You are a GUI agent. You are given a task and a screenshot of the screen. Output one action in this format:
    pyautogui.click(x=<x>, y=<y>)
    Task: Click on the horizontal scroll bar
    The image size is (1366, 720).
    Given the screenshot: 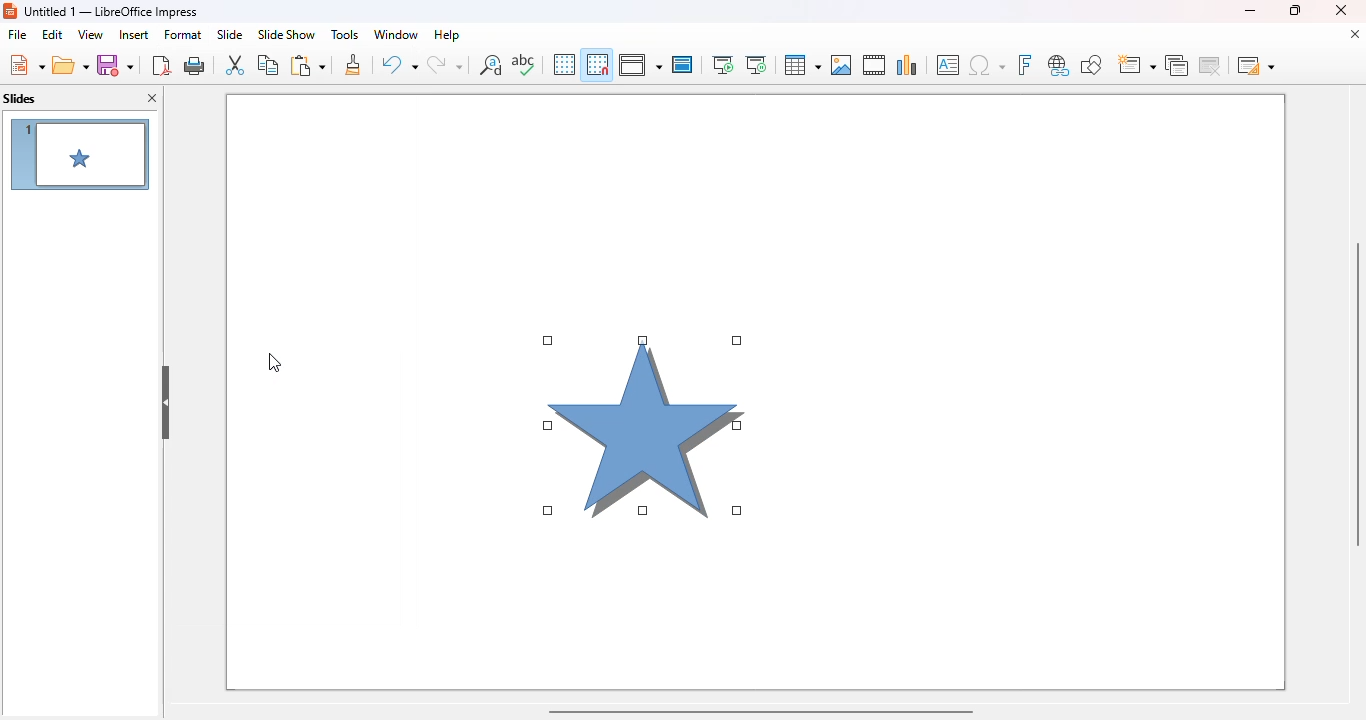 What is the action you would take?
    pyautogui.click(x=759, y=710)
    